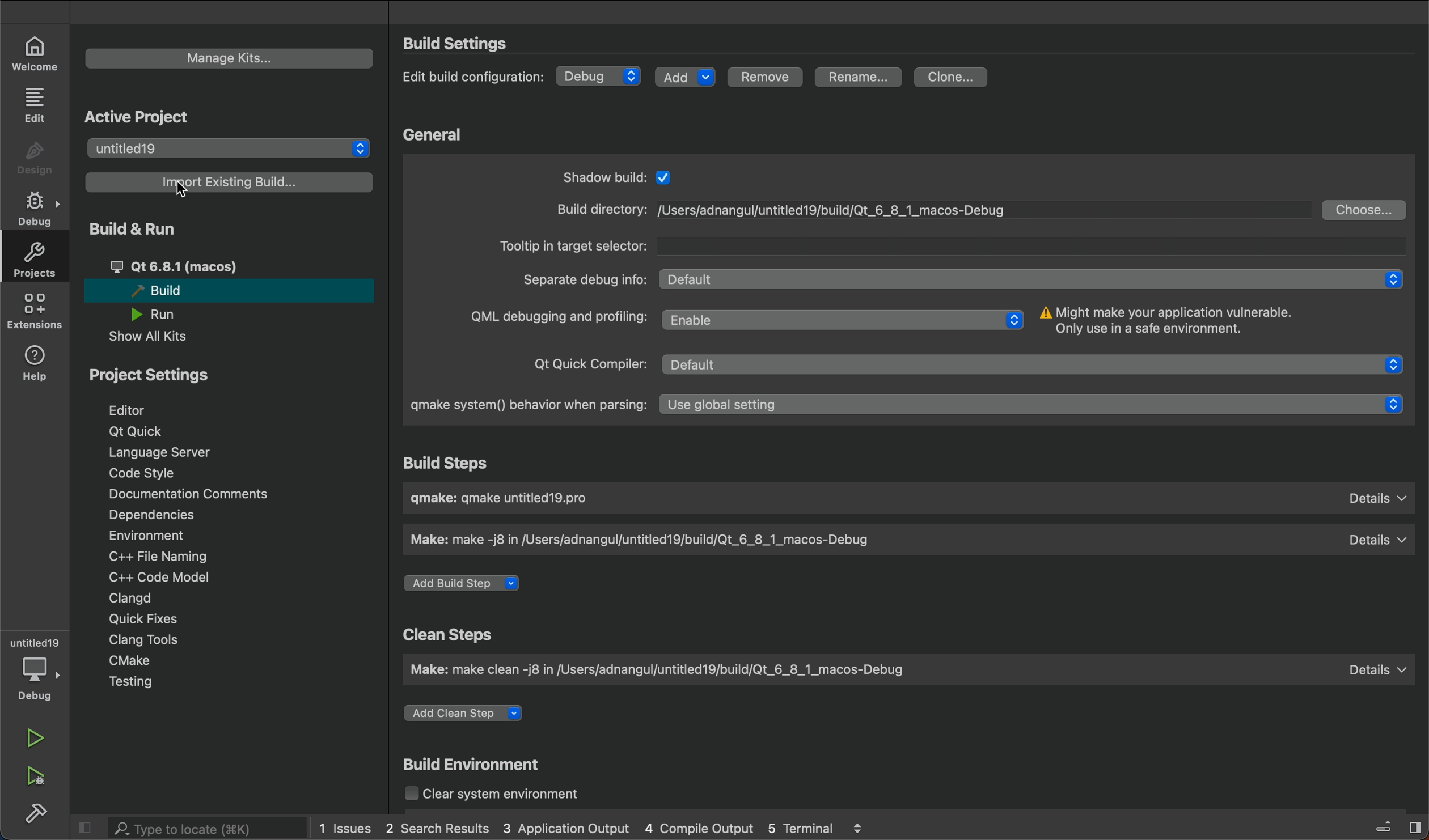  What do you see at coordinates (971, 362) in the screenshot?
I see `qt quick` at bounding box center [971, 362].